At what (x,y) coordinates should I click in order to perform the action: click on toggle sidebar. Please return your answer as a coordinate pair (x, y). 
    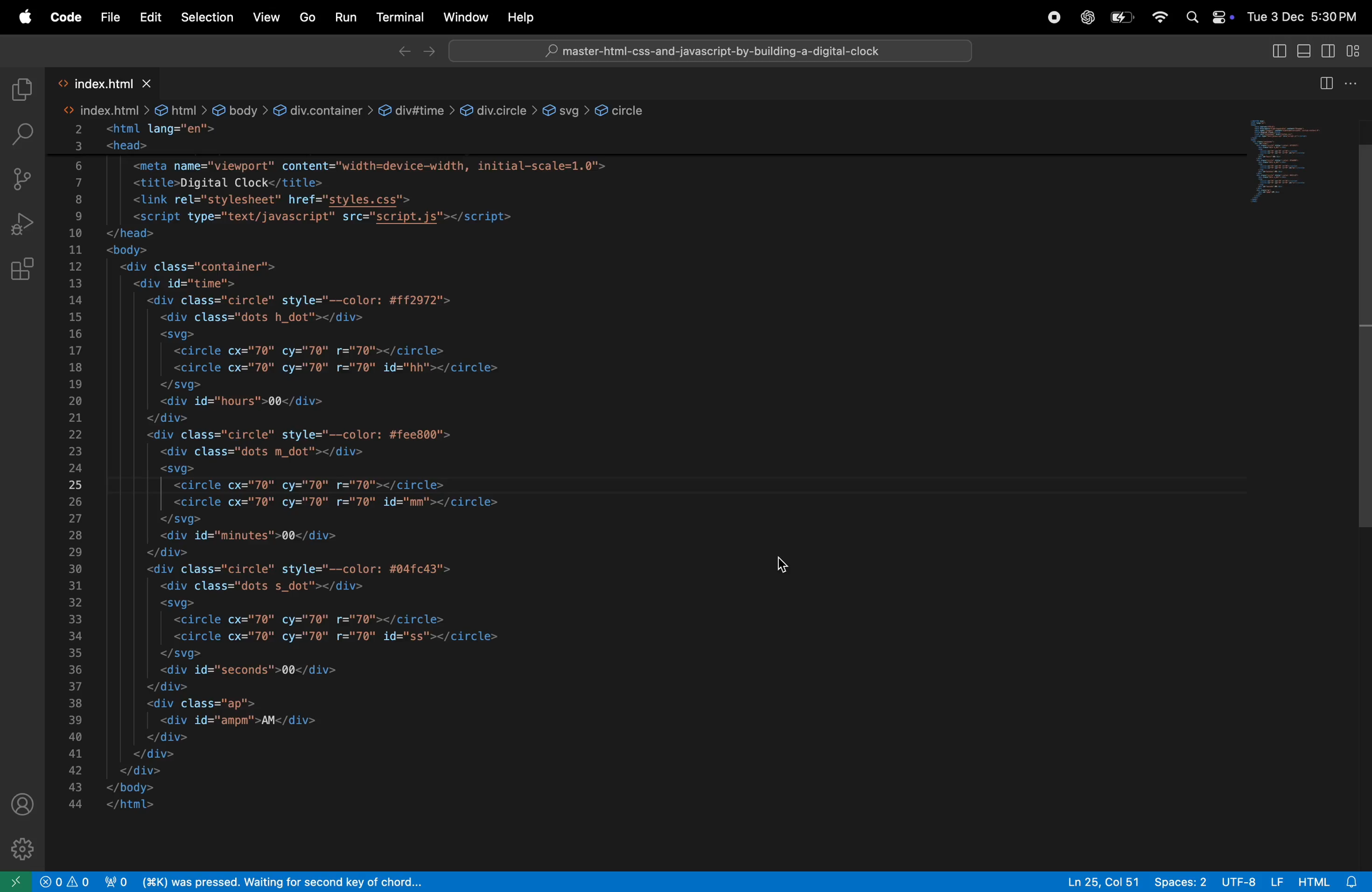
    Looking at the image, I should click on (1333, 52).